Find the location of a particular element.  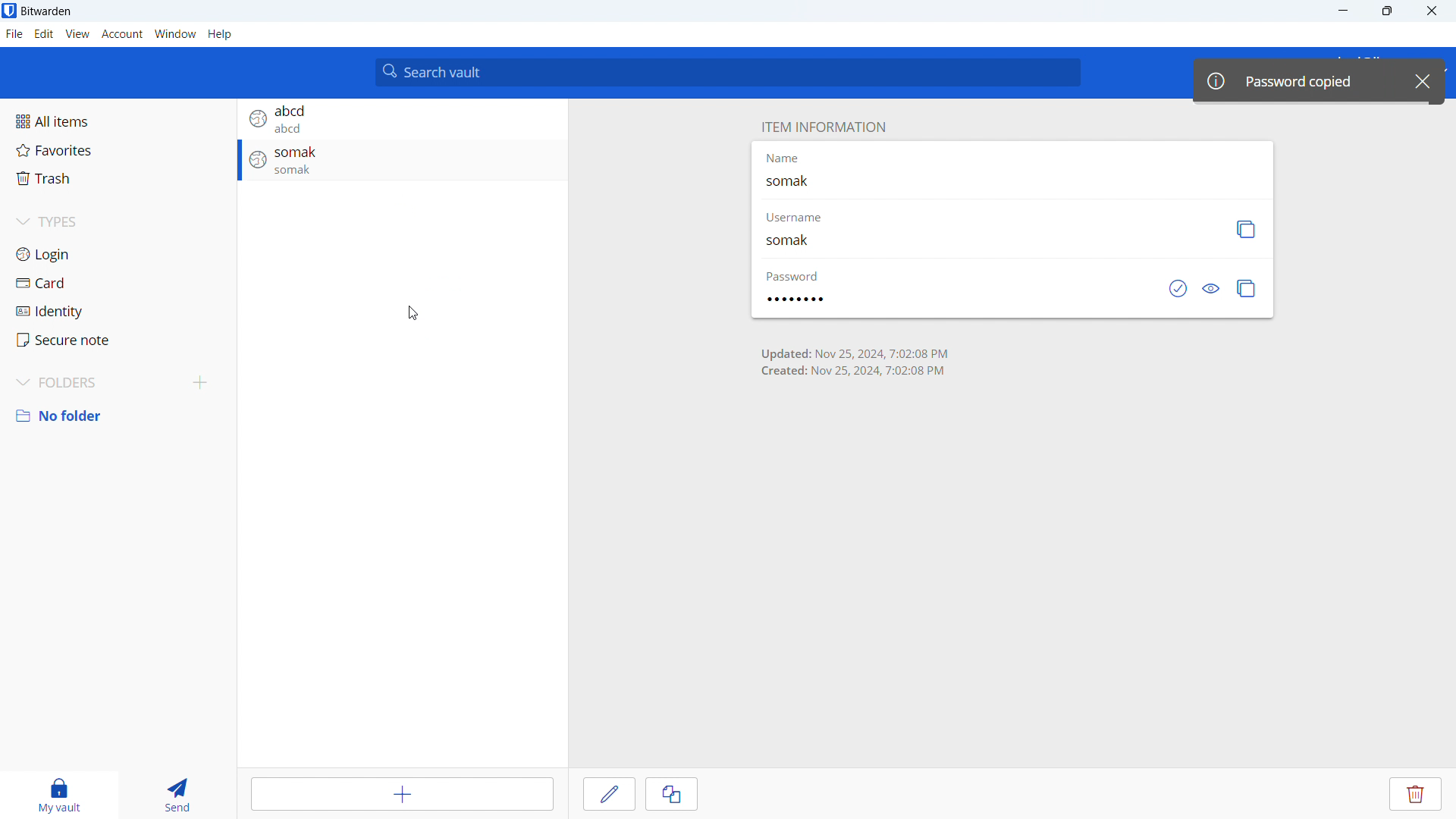

view is located at coordinates (77, 34).